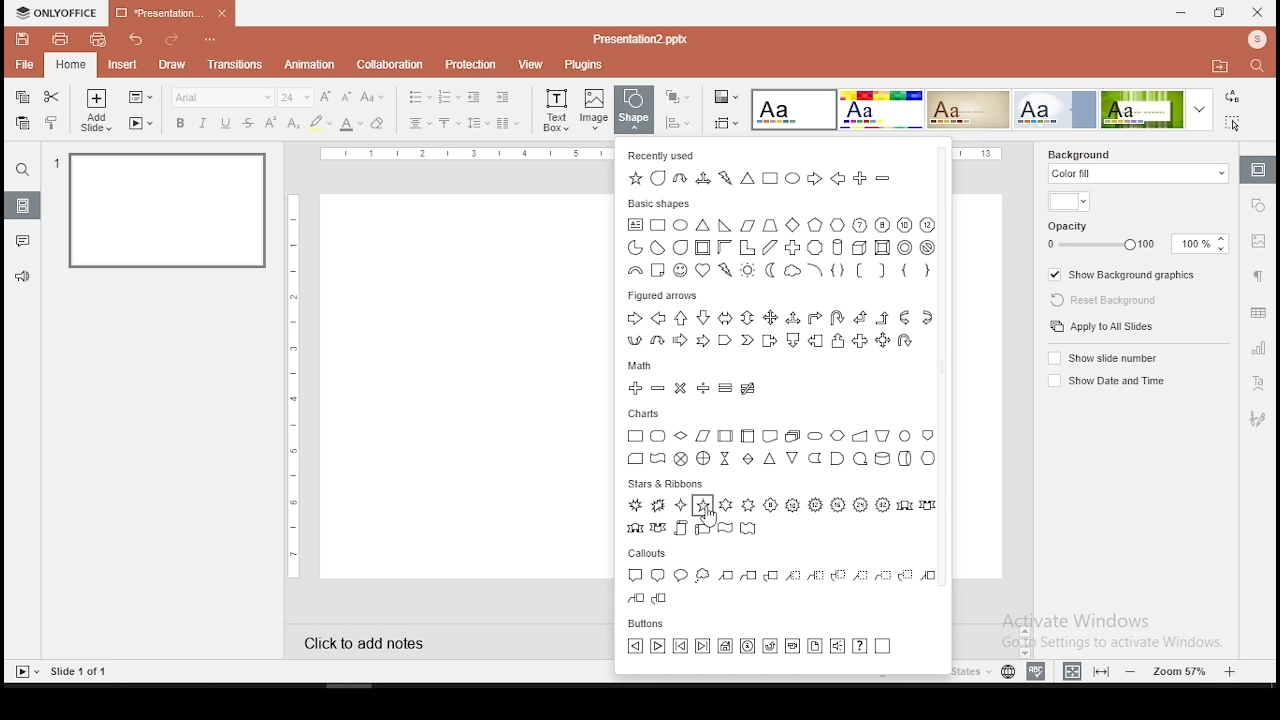 This screenshot has width=1280, height=720. Describe the element at coordinates (1233, 97) in the screenshot. I see `replace` at that location.